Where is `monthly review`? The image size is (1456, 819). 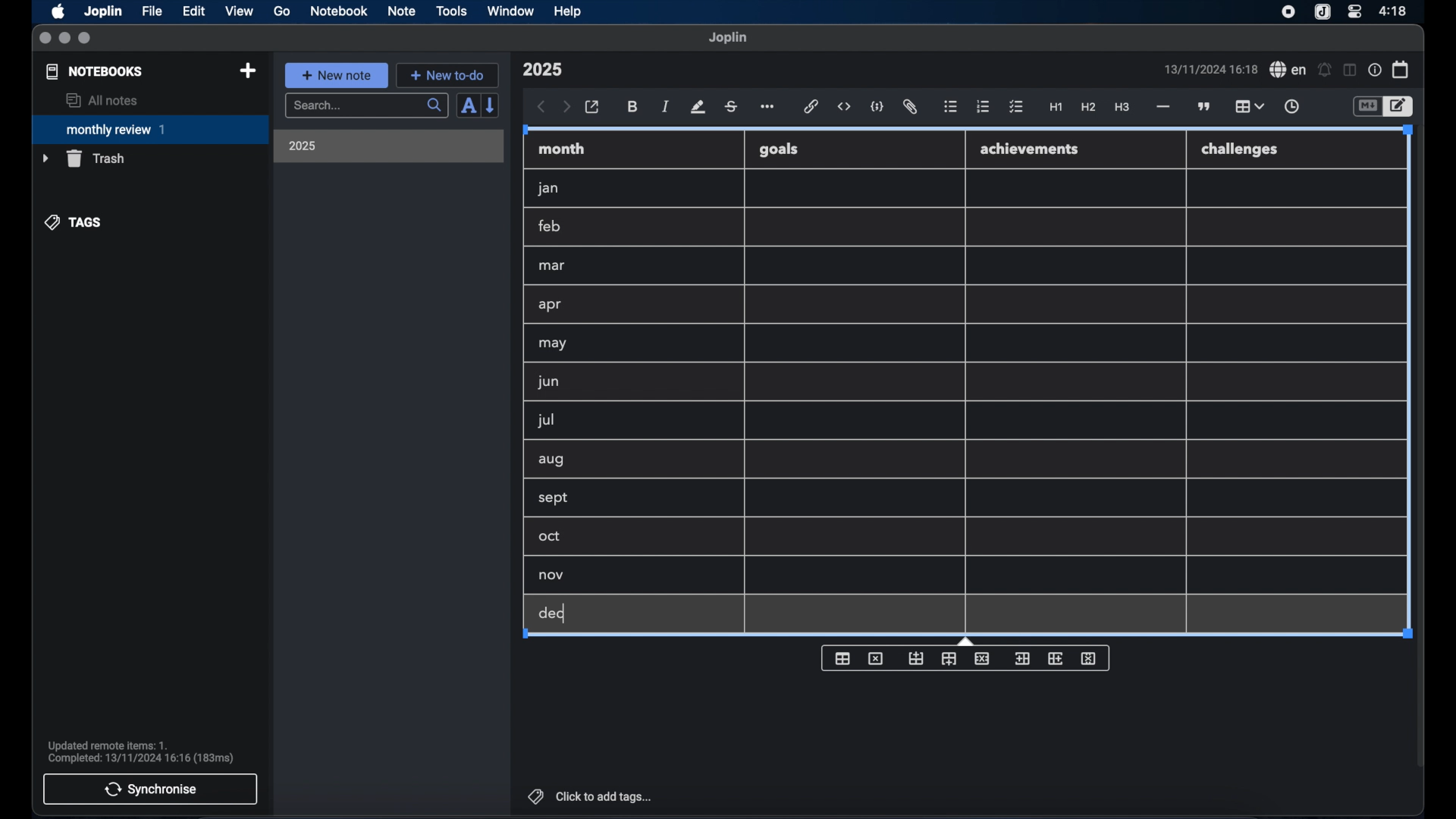
monthly review is located at coordinates (150, 128).